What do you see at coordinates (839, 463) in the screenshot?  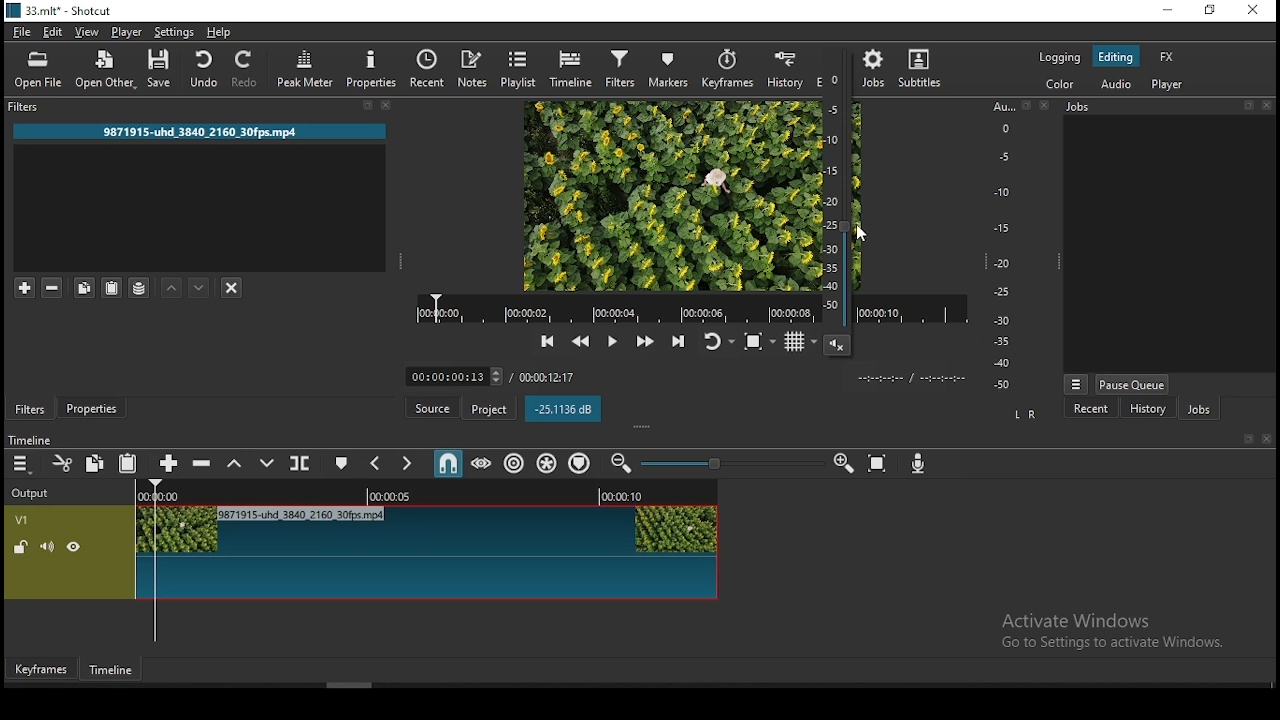 I see `zoom timeline in` at bounding box center [839, 463].